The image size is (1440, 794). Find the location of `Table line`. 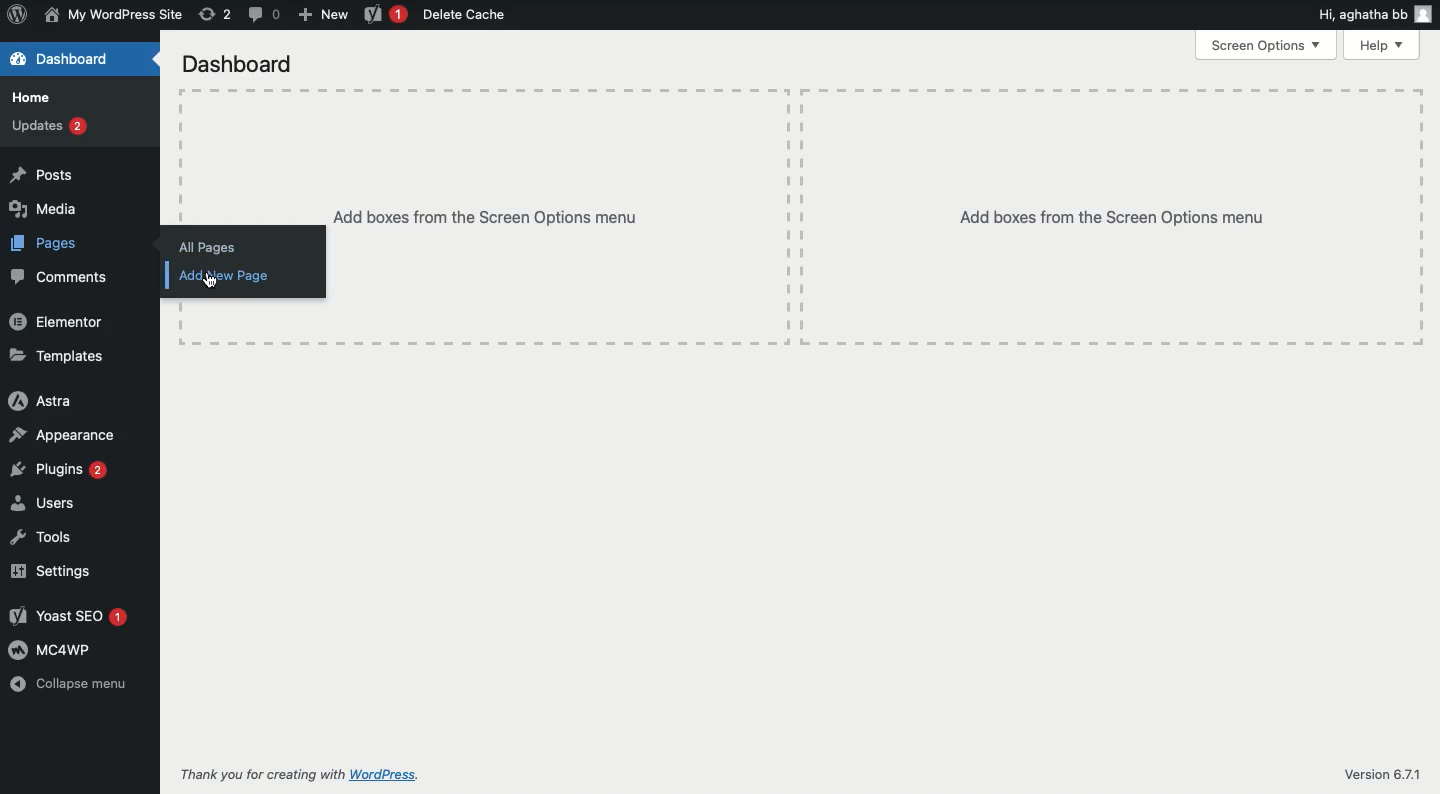

Table line is located at coordinates (183, 162).